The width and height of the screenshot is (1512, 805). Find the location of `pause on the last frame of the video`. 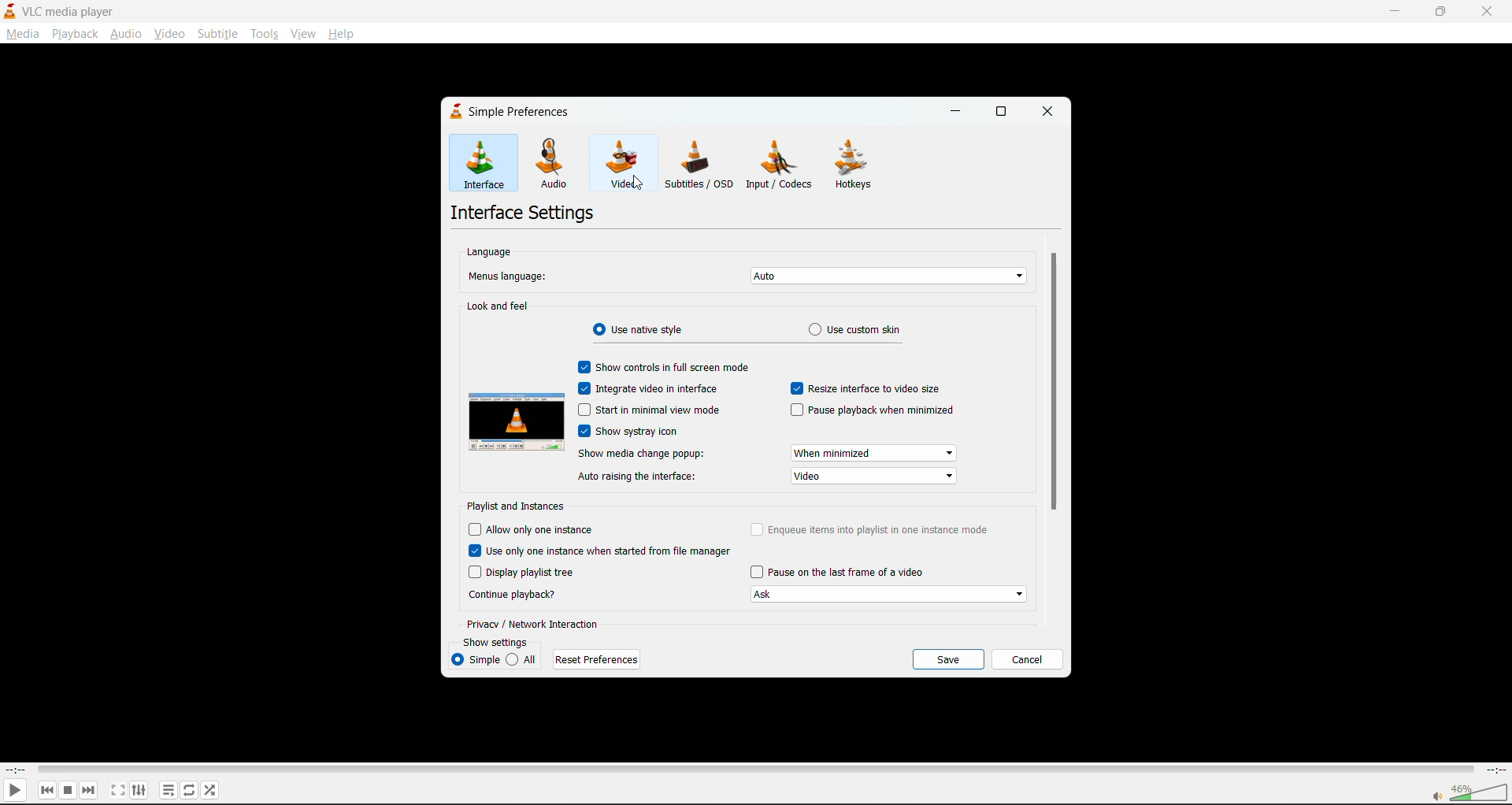

pause on the last frame of the video is located at coordinates (892, 583).